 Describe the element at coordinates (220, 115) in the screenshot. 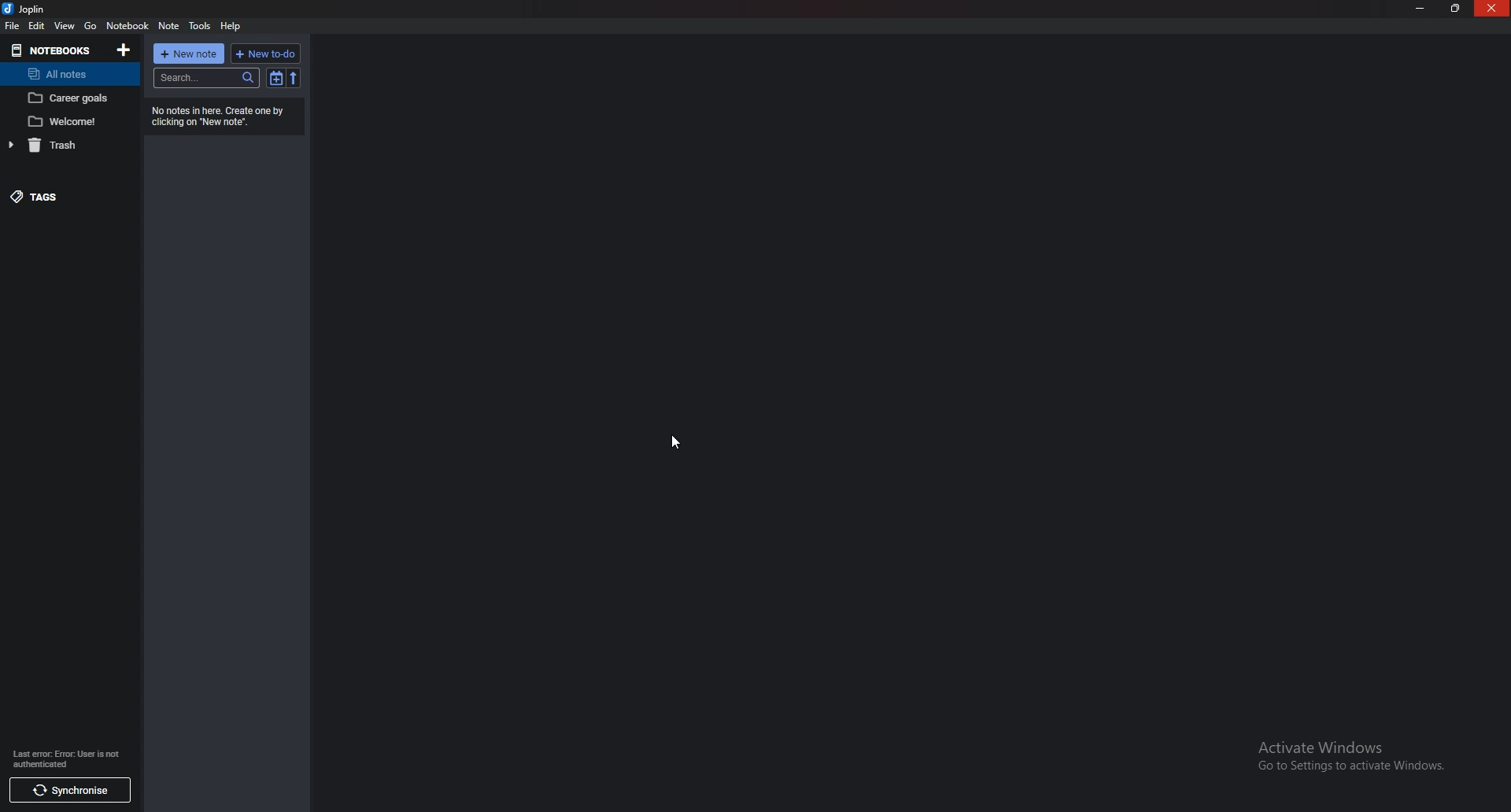

I see `Info` at that location.